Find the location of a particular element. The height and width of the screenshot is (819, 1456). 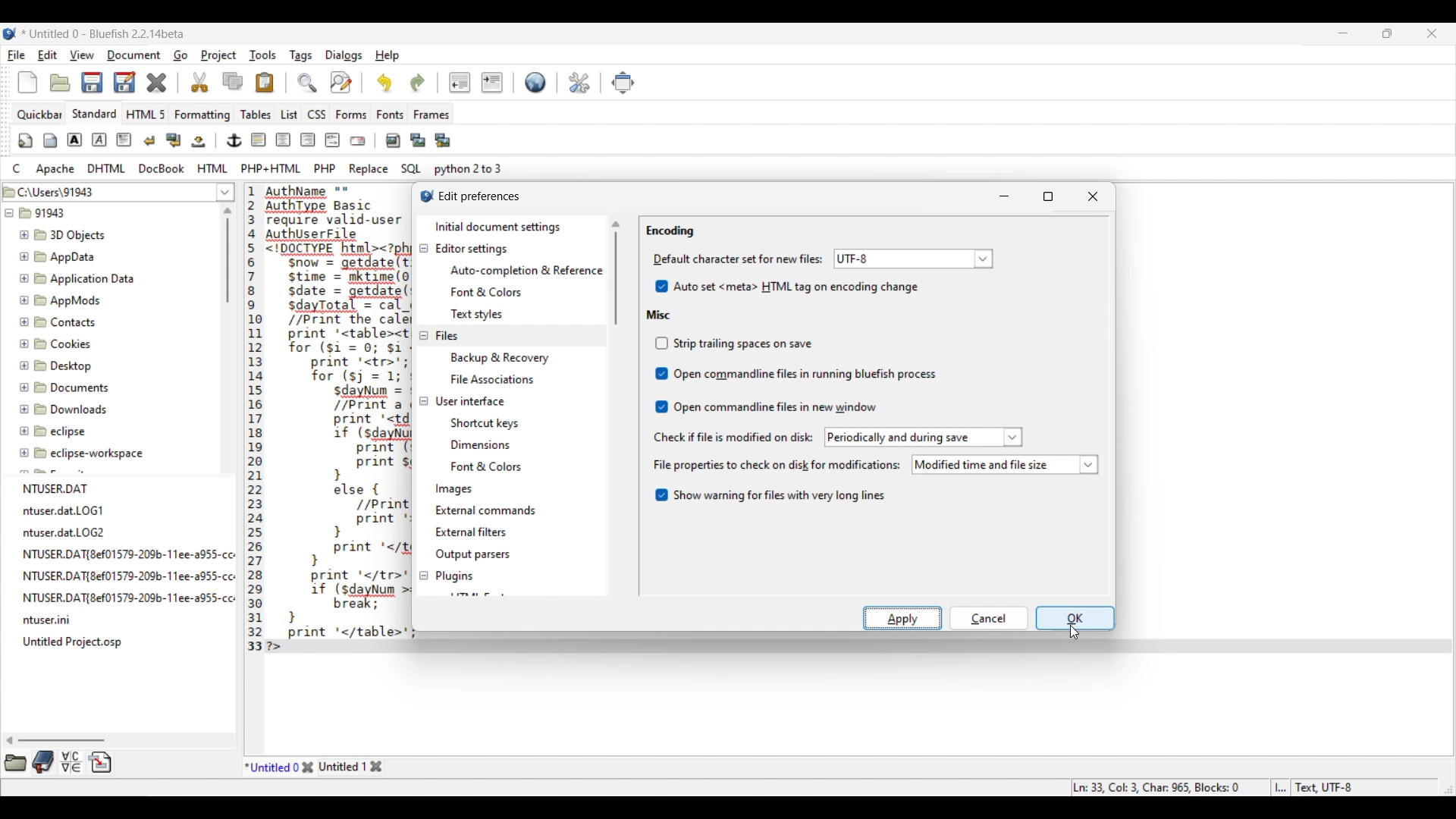

Output parsers is located at coordinates (474, 554).